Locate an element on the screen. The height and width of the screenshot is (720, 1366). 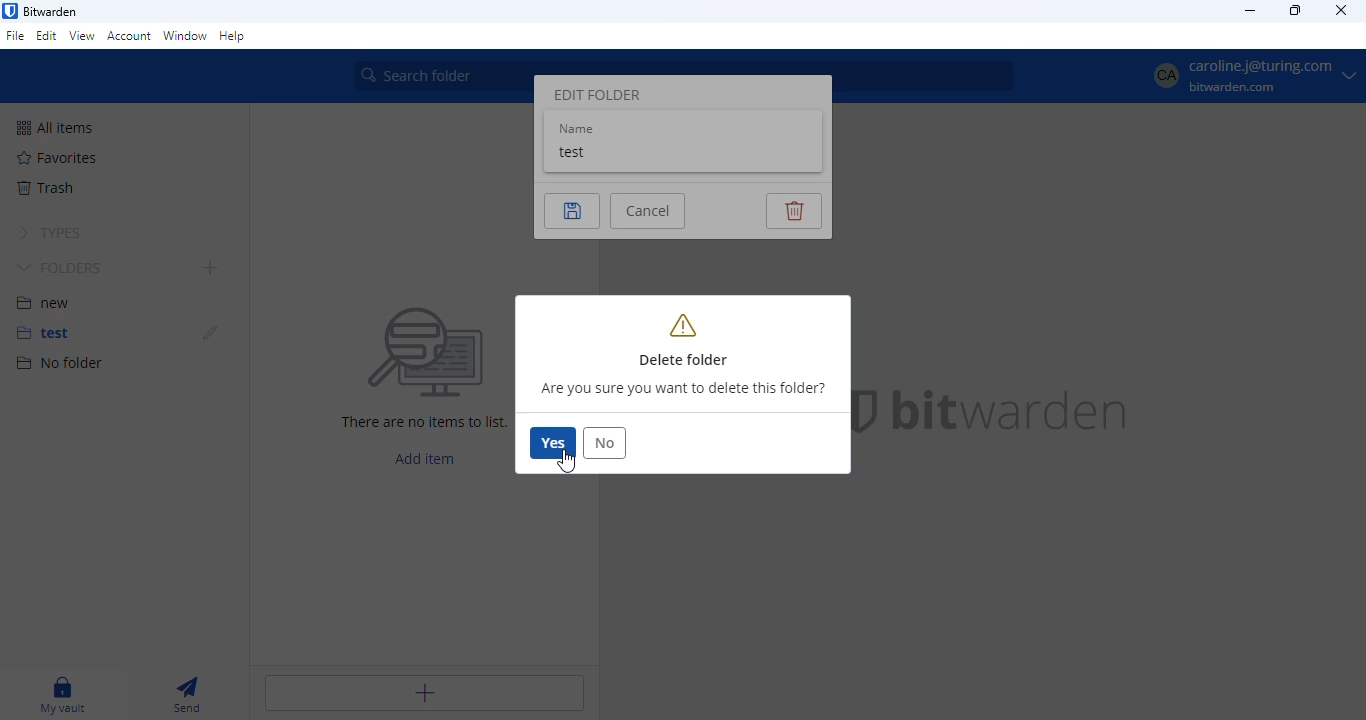
cursor is located at coordinates (566, 462).